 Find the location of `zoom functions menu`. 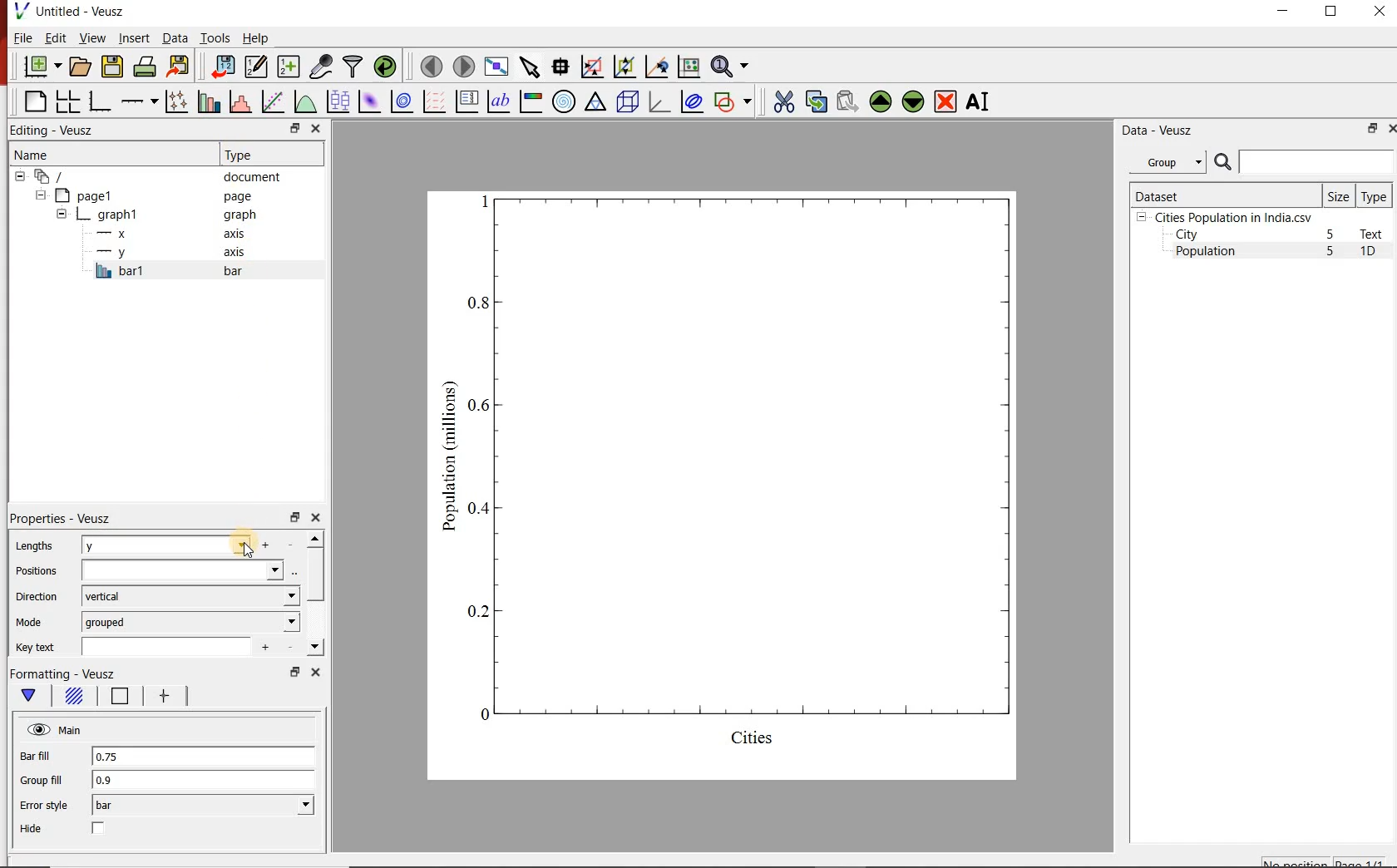

zoom functions menu is located at coordinates (733, 67).